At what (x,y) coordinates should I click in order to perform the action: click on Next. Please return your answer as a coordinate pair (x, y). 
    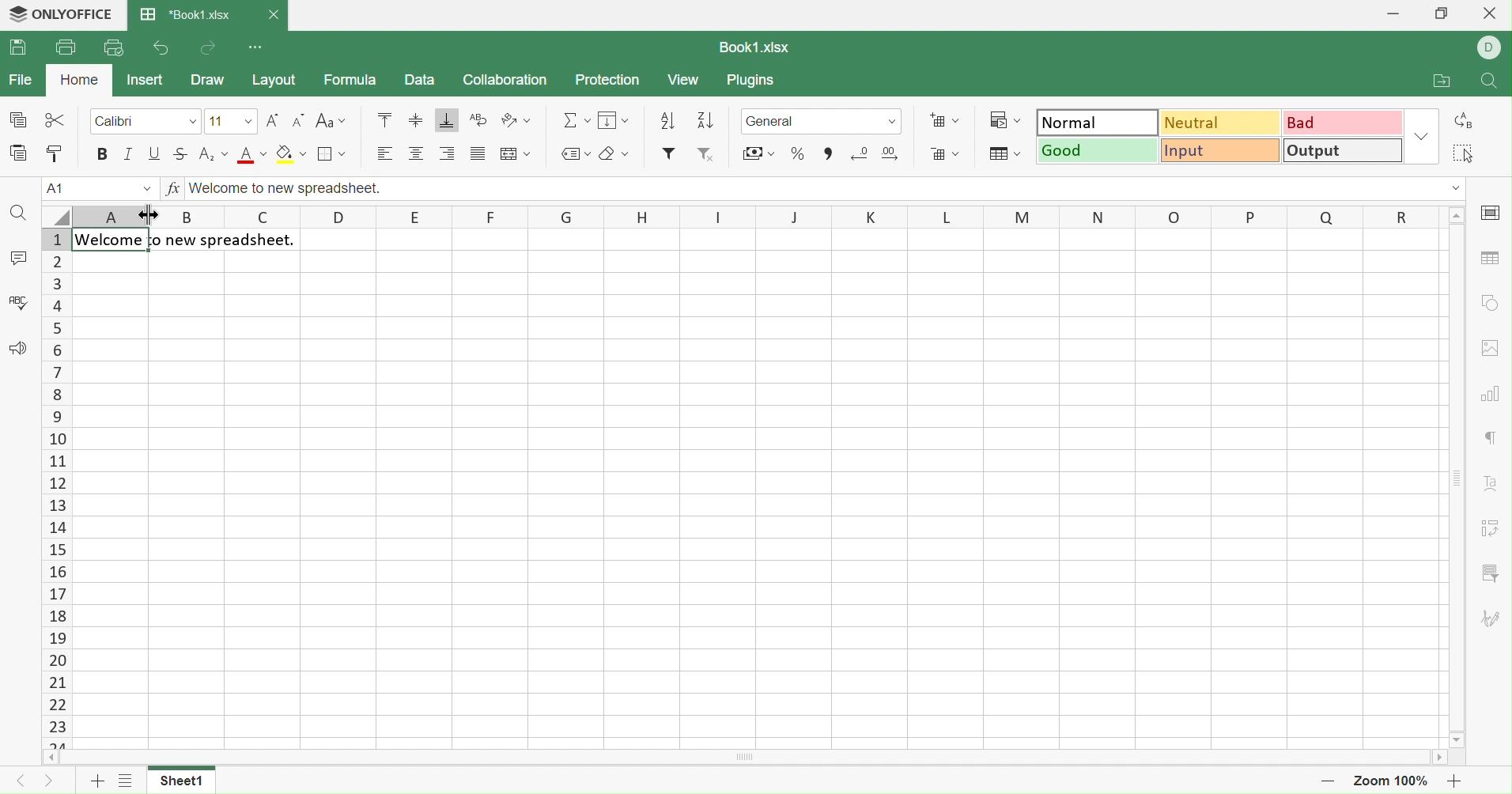
    Looking at the image, I should click on (54, 782).